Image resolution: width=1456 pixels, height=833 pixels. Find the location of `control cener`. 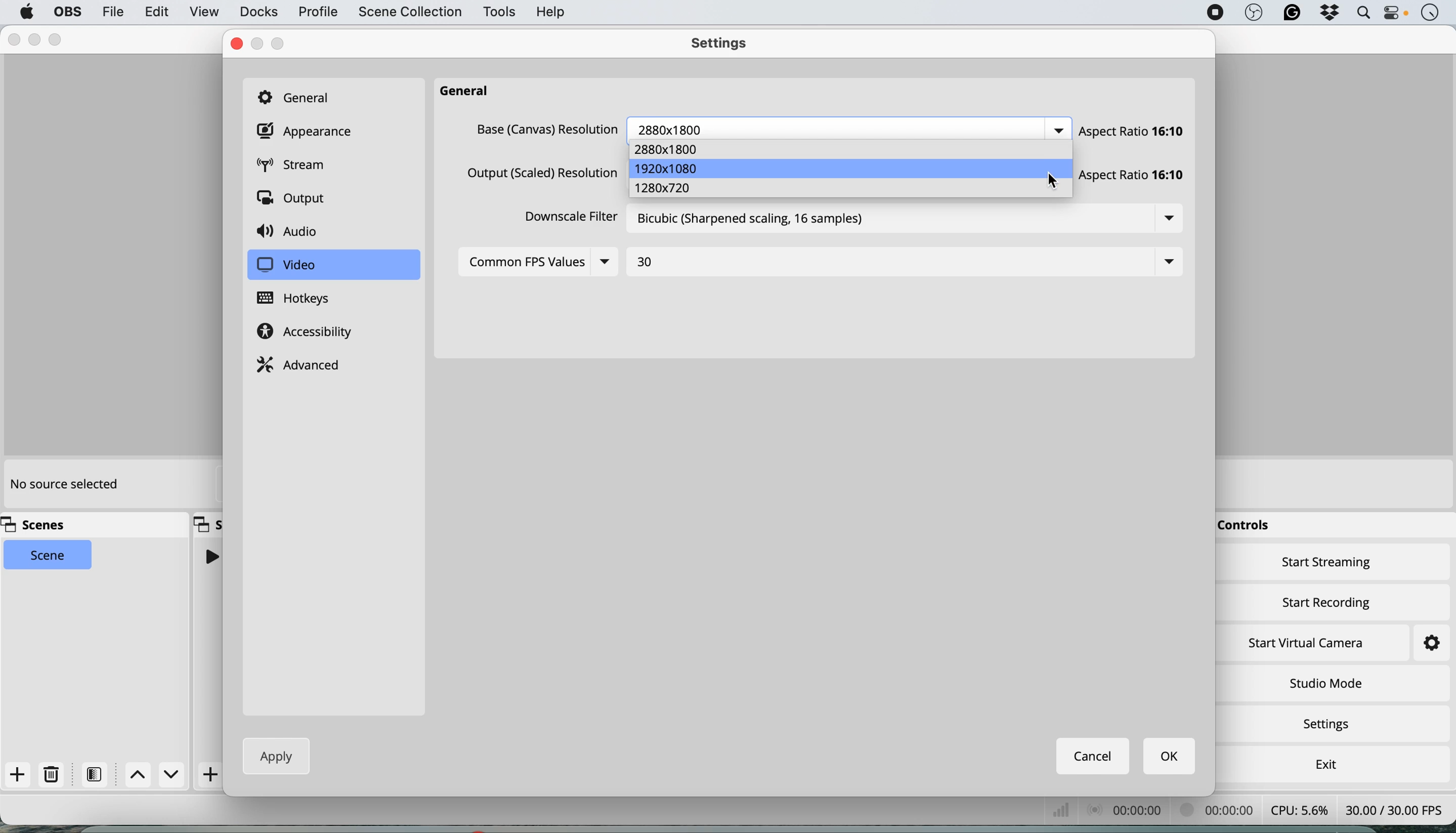

control cener is located at coordinates (1395, 15).